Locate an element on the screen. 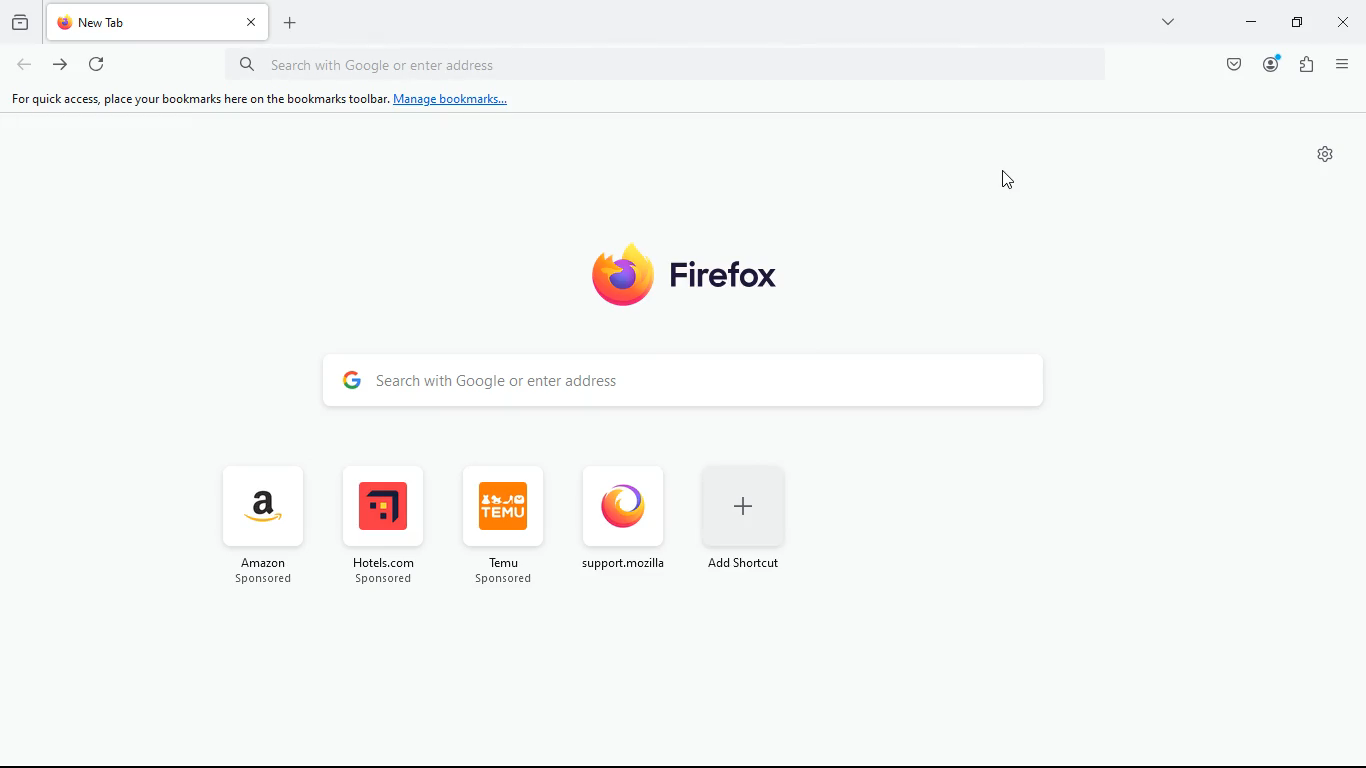  minimize is located at coordinates (1247, 23).